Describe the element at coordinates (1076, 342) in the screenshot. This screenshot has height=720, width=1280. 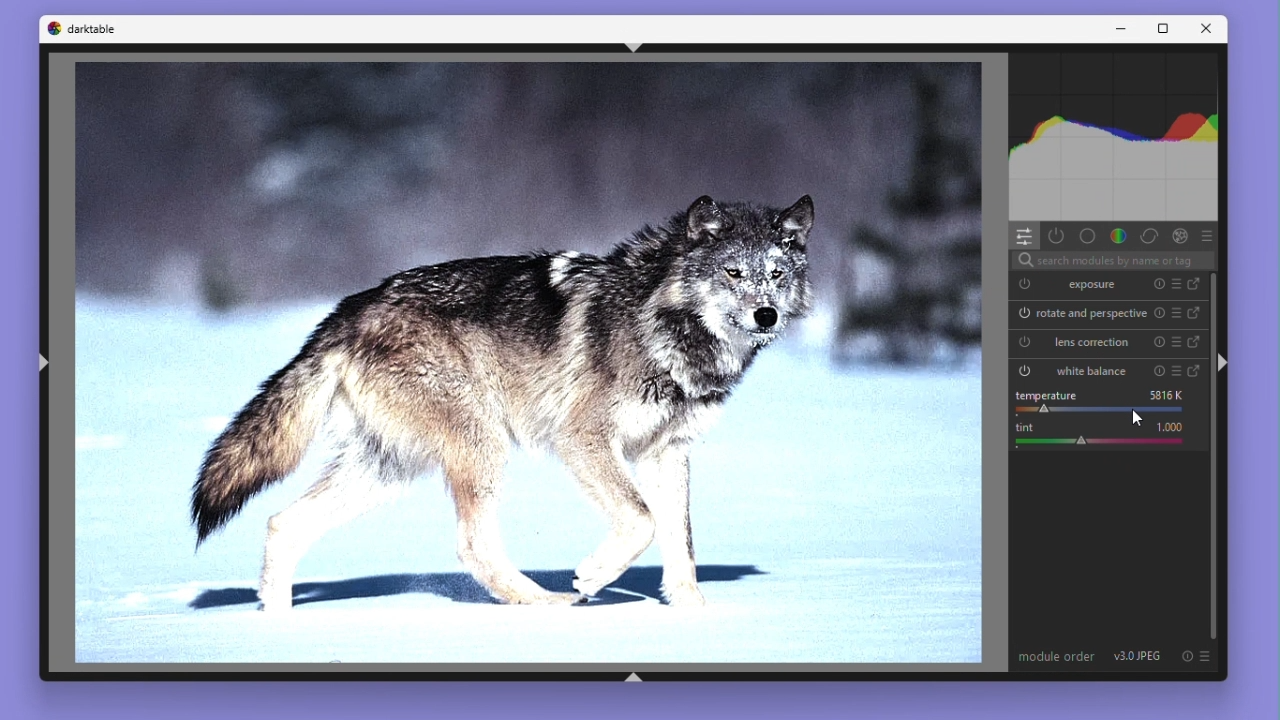
I see `Lens correction` at that location.